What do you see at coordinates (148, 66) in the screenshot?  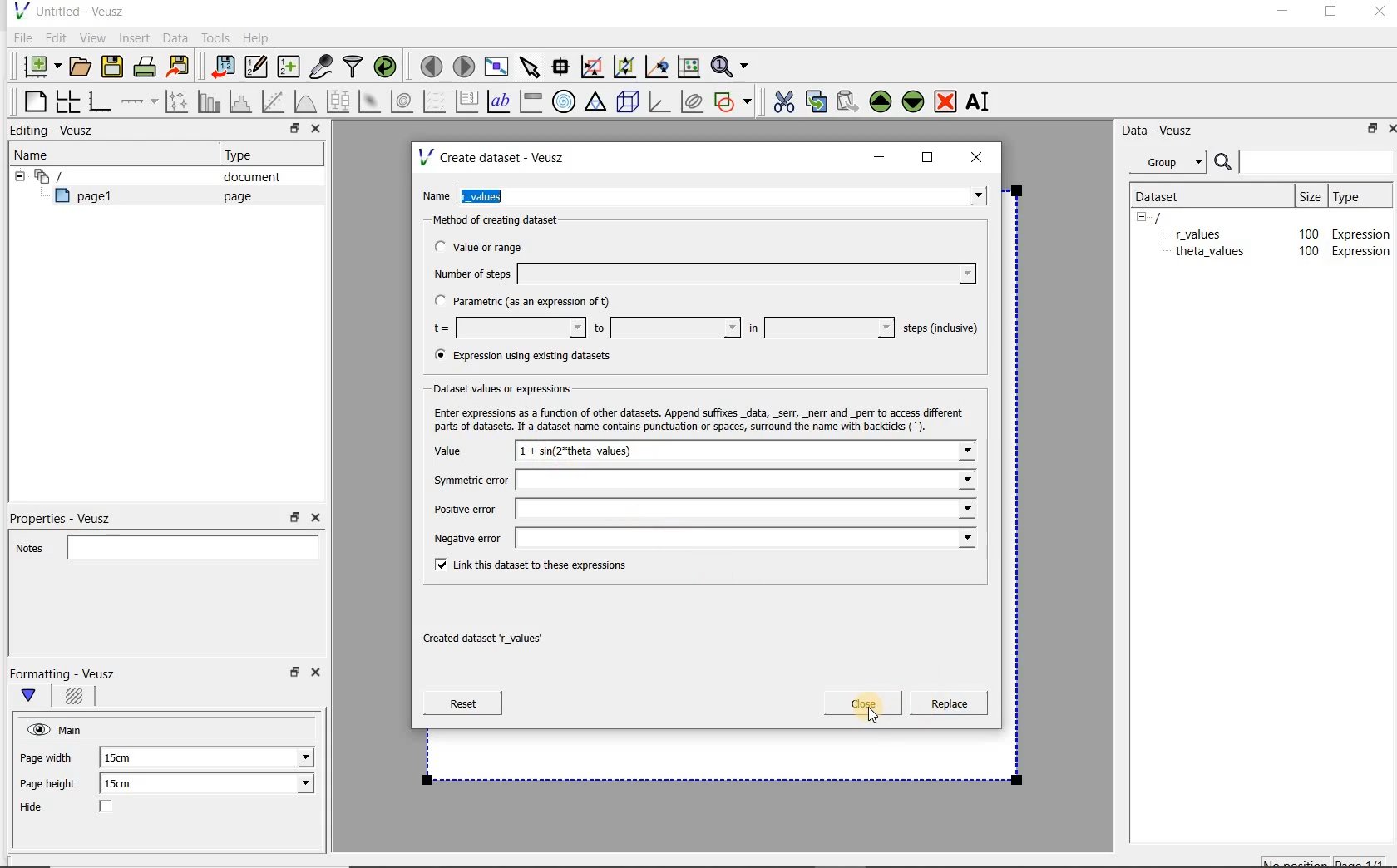 I see `print the document` at bounding box center [148, 66].